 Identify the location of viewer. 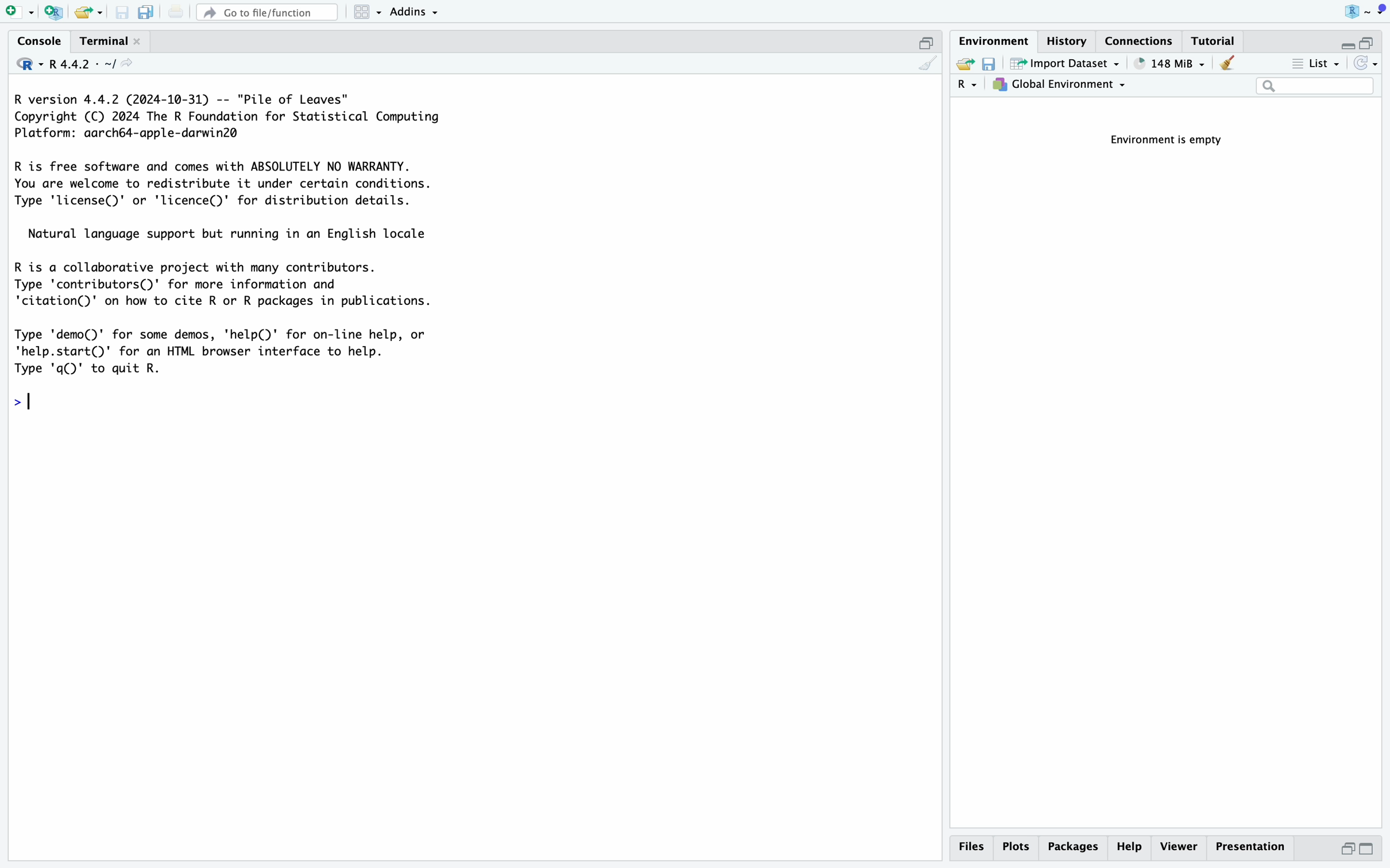
(1178, 847).